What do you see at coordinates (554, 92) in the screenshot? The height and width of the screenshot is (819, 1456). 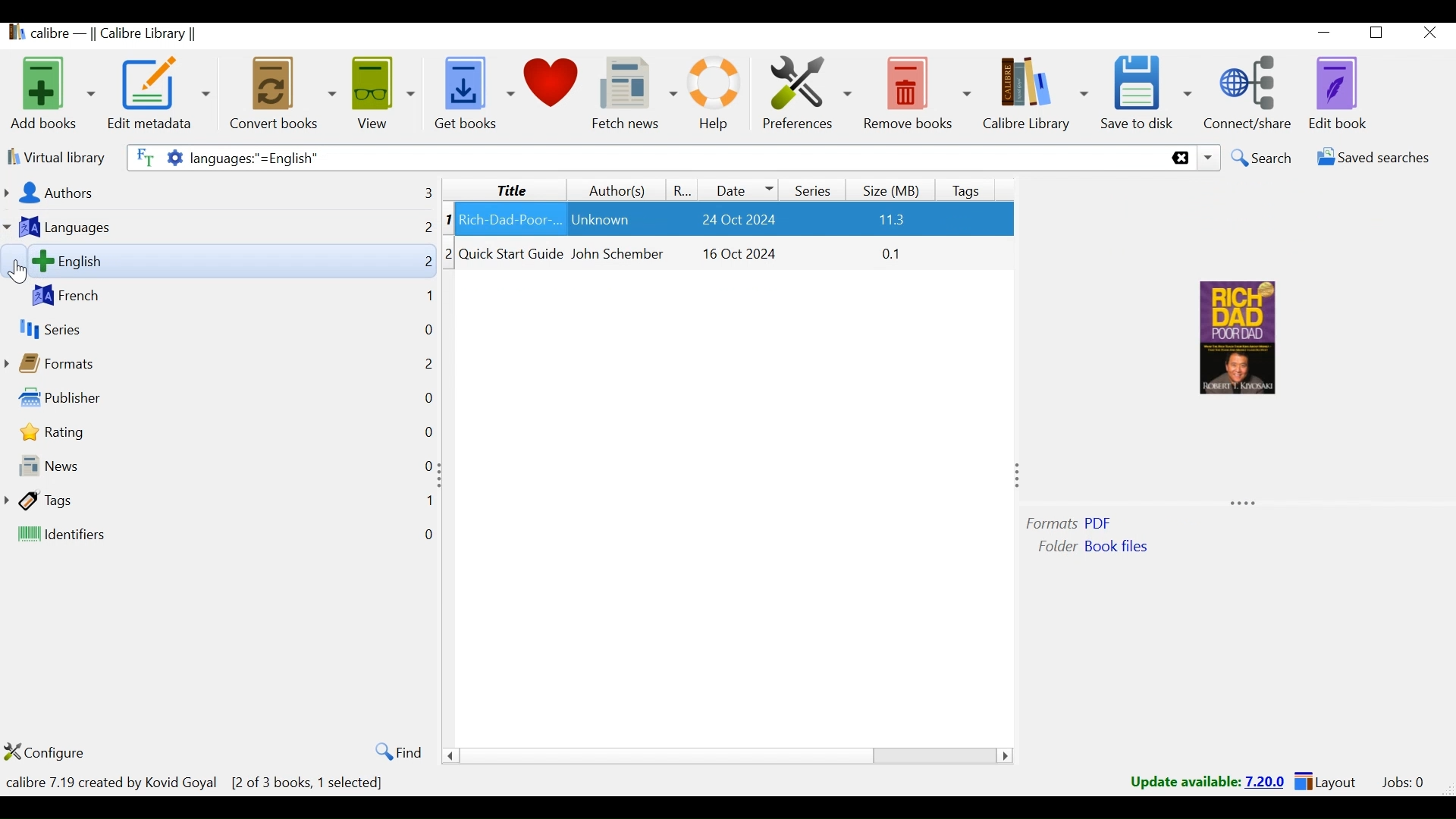 I see `Donate` at bounding box center [554, 92].